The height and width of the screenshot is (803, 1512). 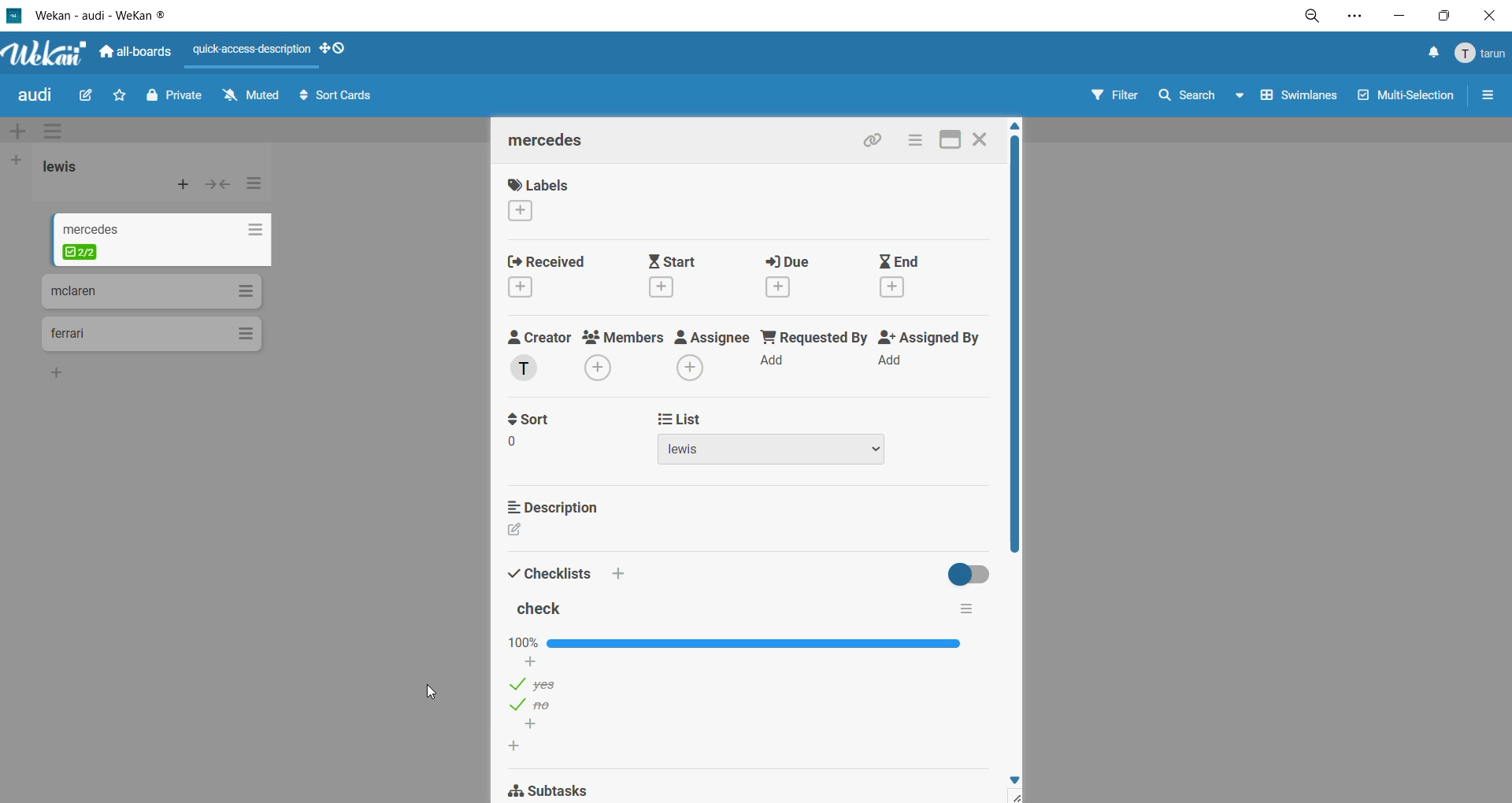 What do you see at coordinates (920, 141) in the screenshot?
I see `card actions` at bounding box center [920, 141].